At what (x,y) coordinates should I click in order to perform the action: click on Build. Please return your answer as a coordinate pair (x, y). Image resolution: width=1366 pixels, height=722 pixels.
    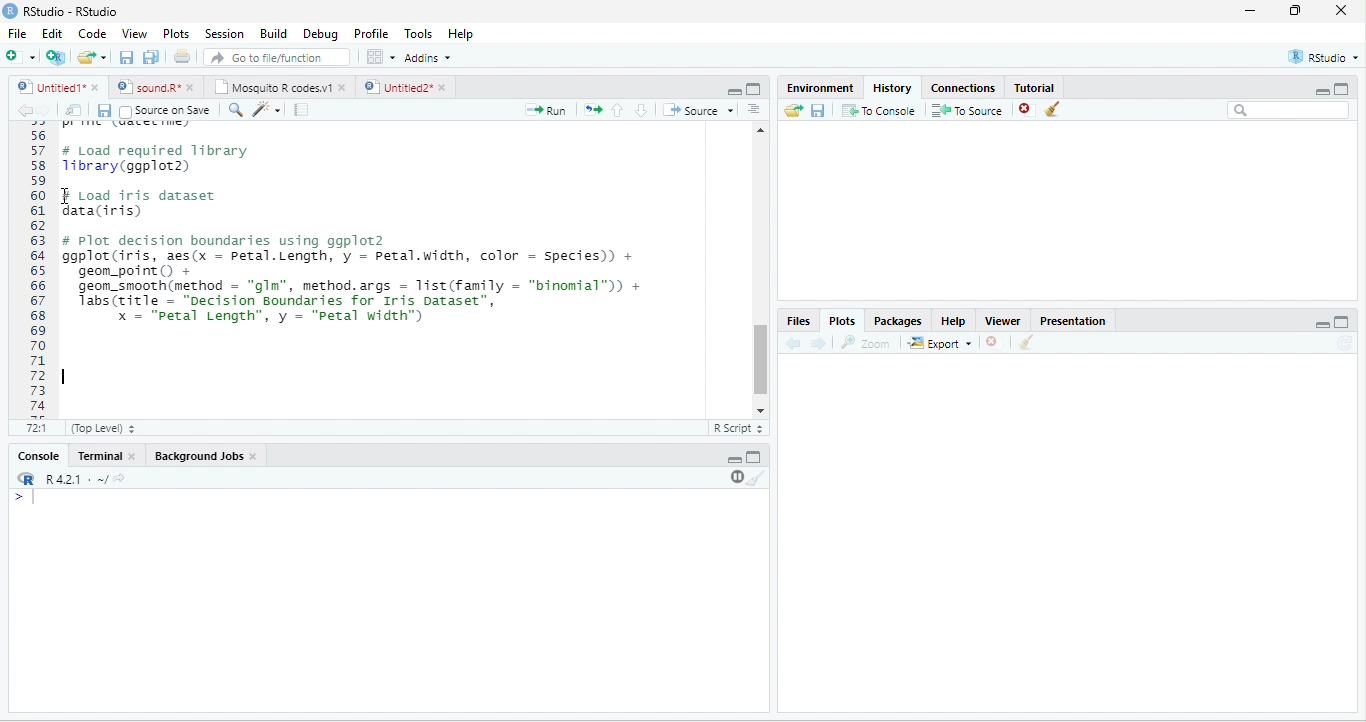
    Looking at the image, I should click on (275, 34).